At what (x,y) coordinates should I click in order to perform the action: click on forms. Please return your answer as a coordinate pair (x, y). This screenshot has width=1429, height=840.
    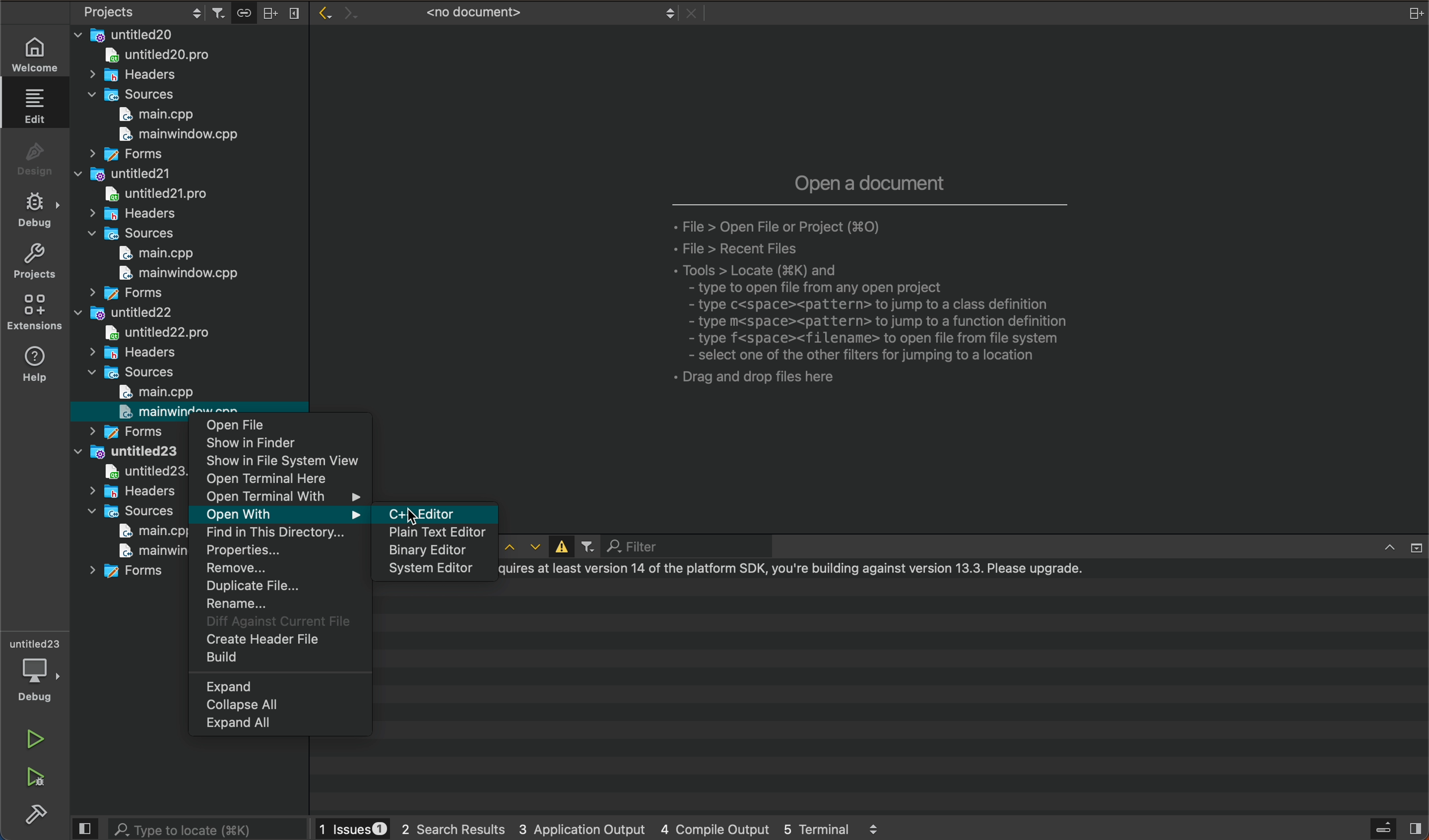
    Looking at the image, I should click on (121, 294).